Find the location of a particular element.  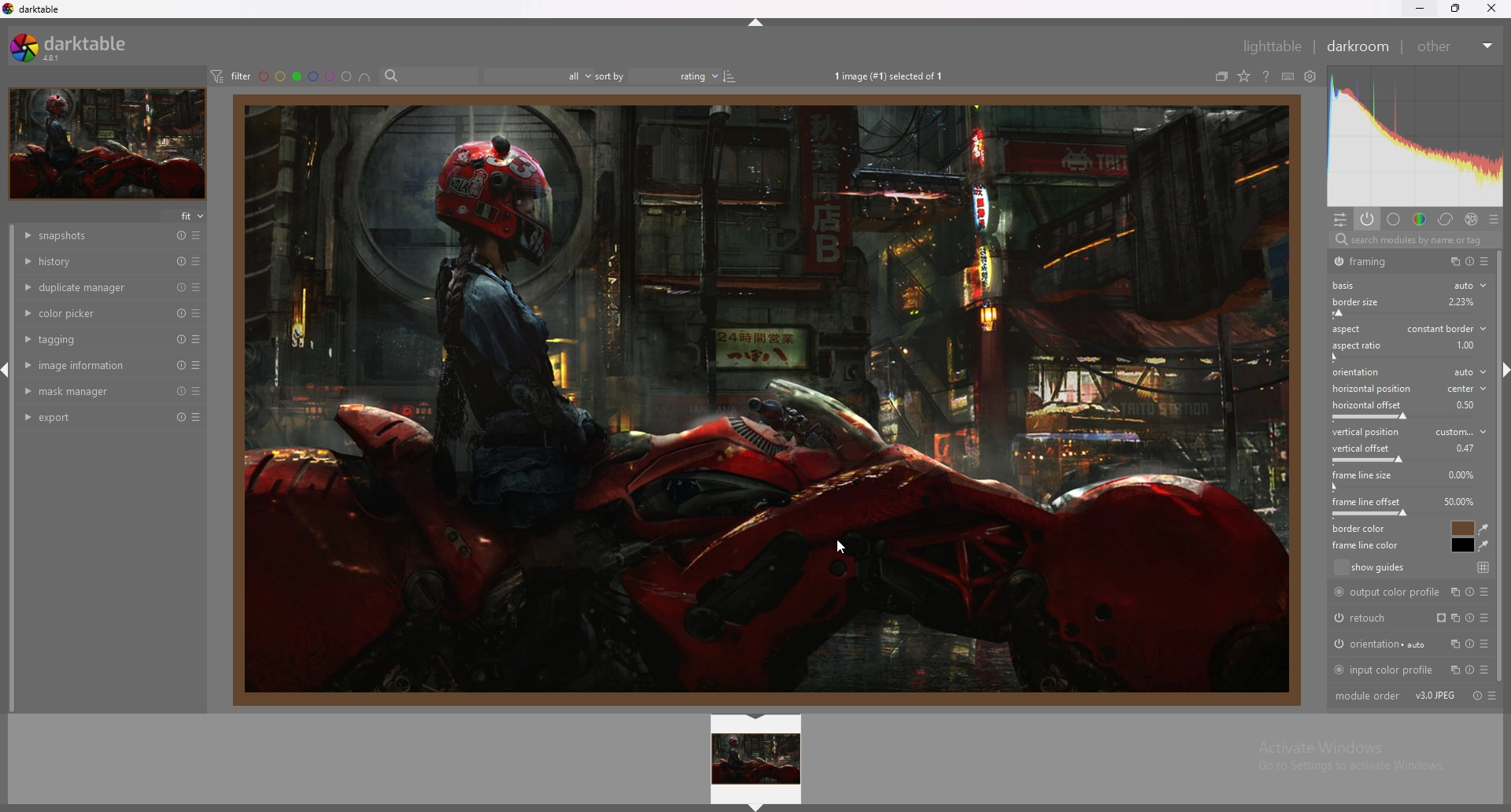

aspect is located at coordinates (1346, 329).